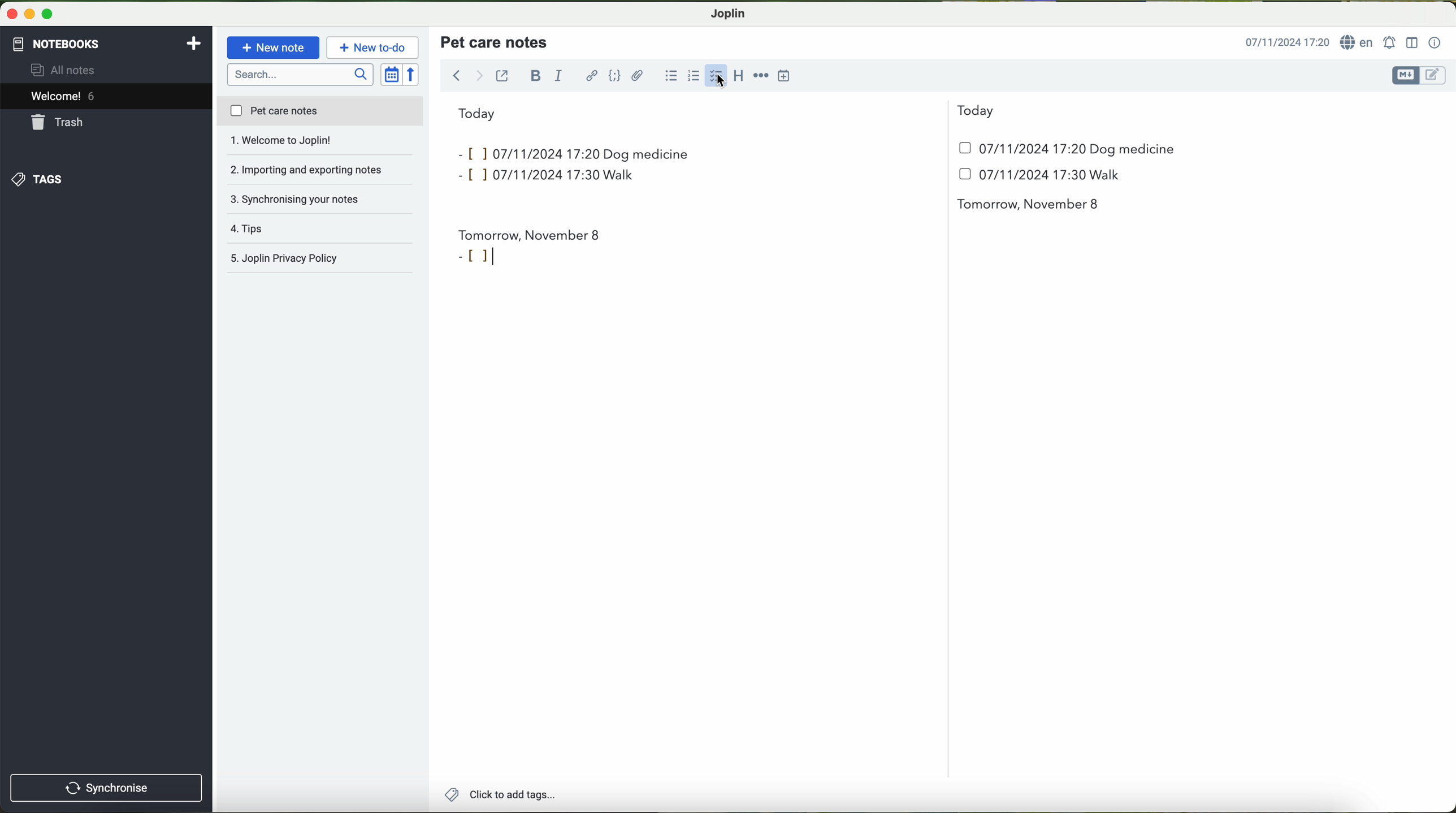 This screenshot has height=813, width=1456. Describe the element at coordinates (593, 77) in the screenshot. I see `hyperlink` at that location.